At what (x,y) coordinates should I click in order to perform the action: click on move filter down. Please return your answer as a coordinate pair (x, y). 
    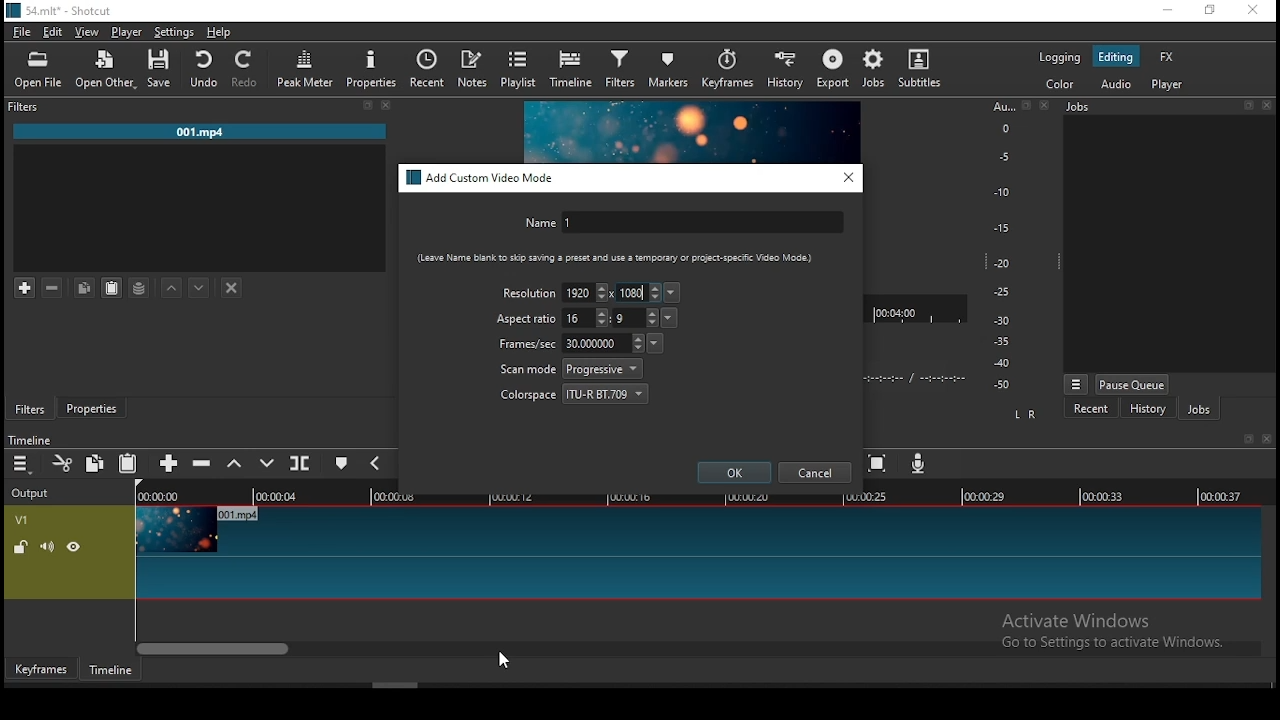
    Looking at the image, I should click on (199, 288).